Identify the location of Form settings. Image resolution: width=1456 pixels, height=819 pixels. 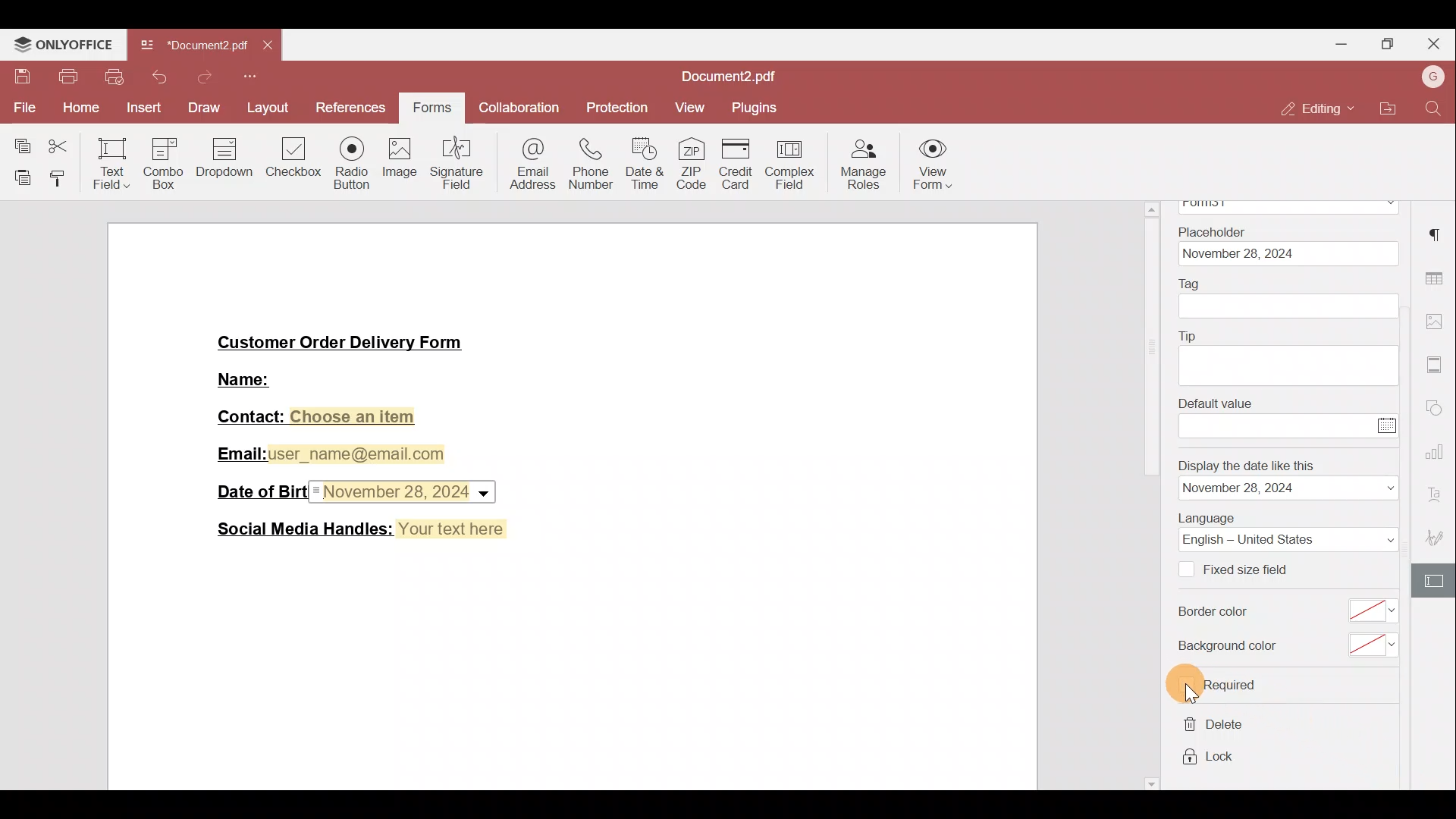
(1437, 583).